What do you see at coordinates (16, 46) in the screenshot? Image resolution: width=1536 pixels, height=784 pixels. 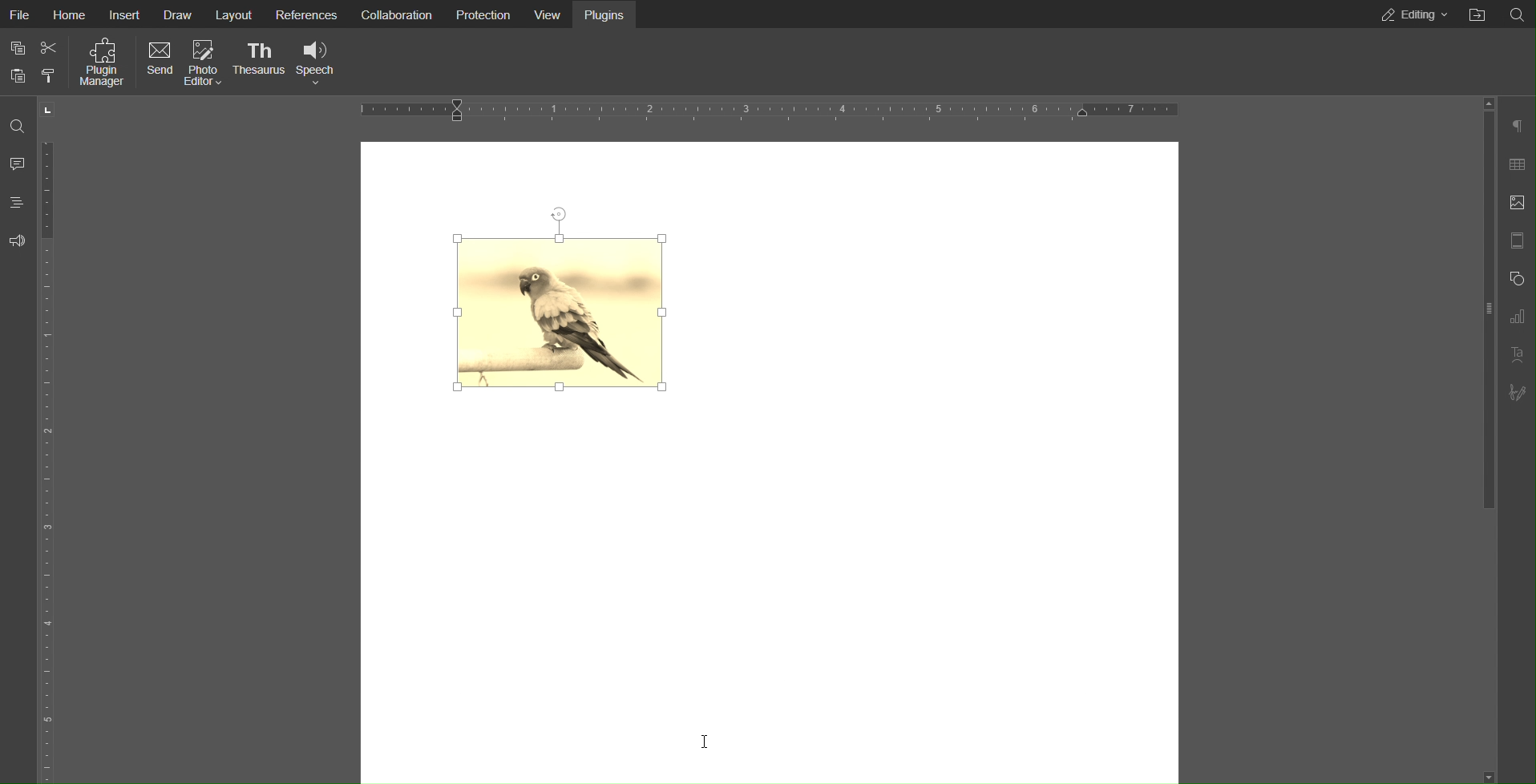 I see `Copy` at bounding box center [16, 46].